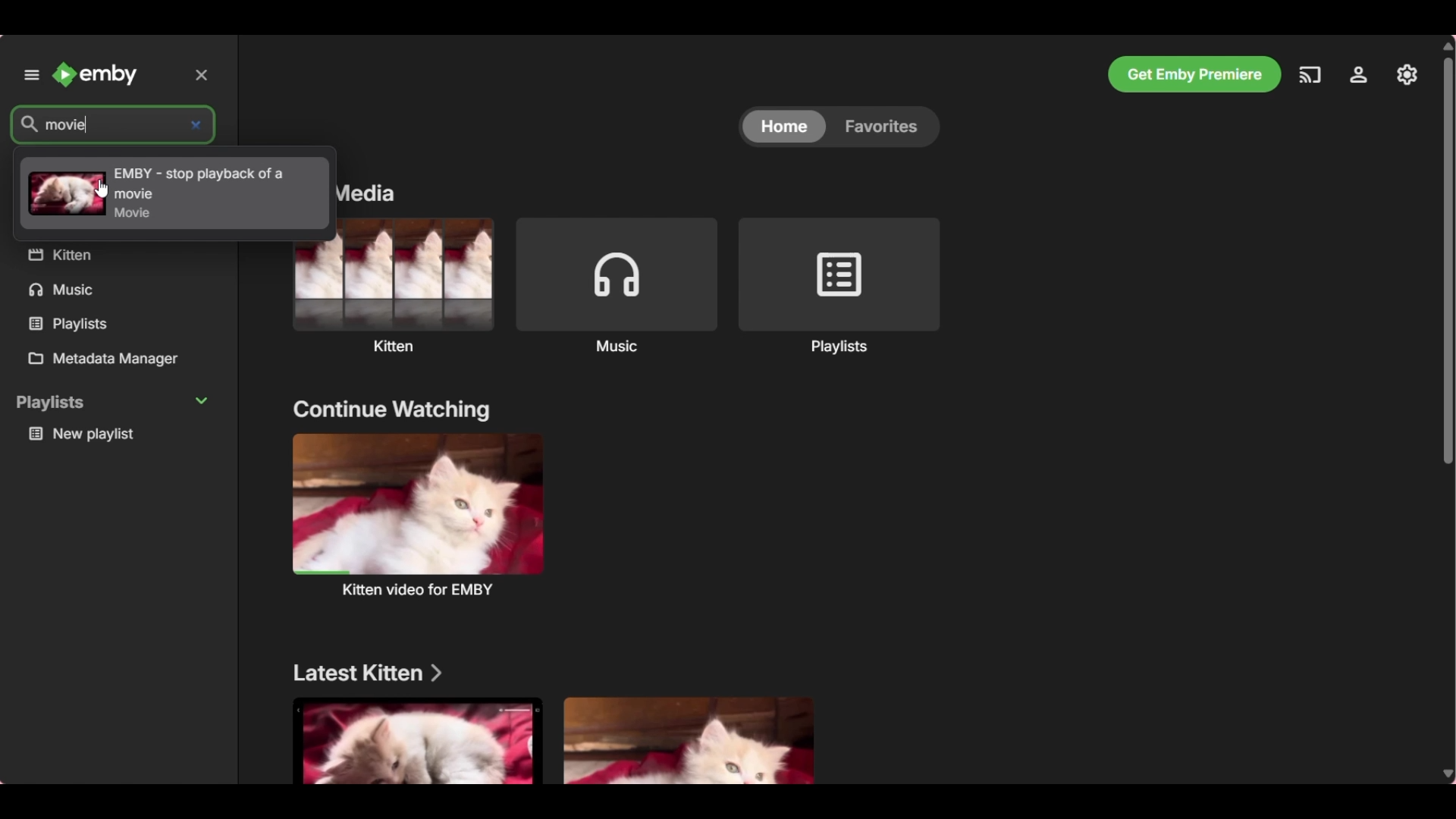 This screenshot has width=1456, height=819. I want to click on Vertical slide bar, so click(1448, 411).